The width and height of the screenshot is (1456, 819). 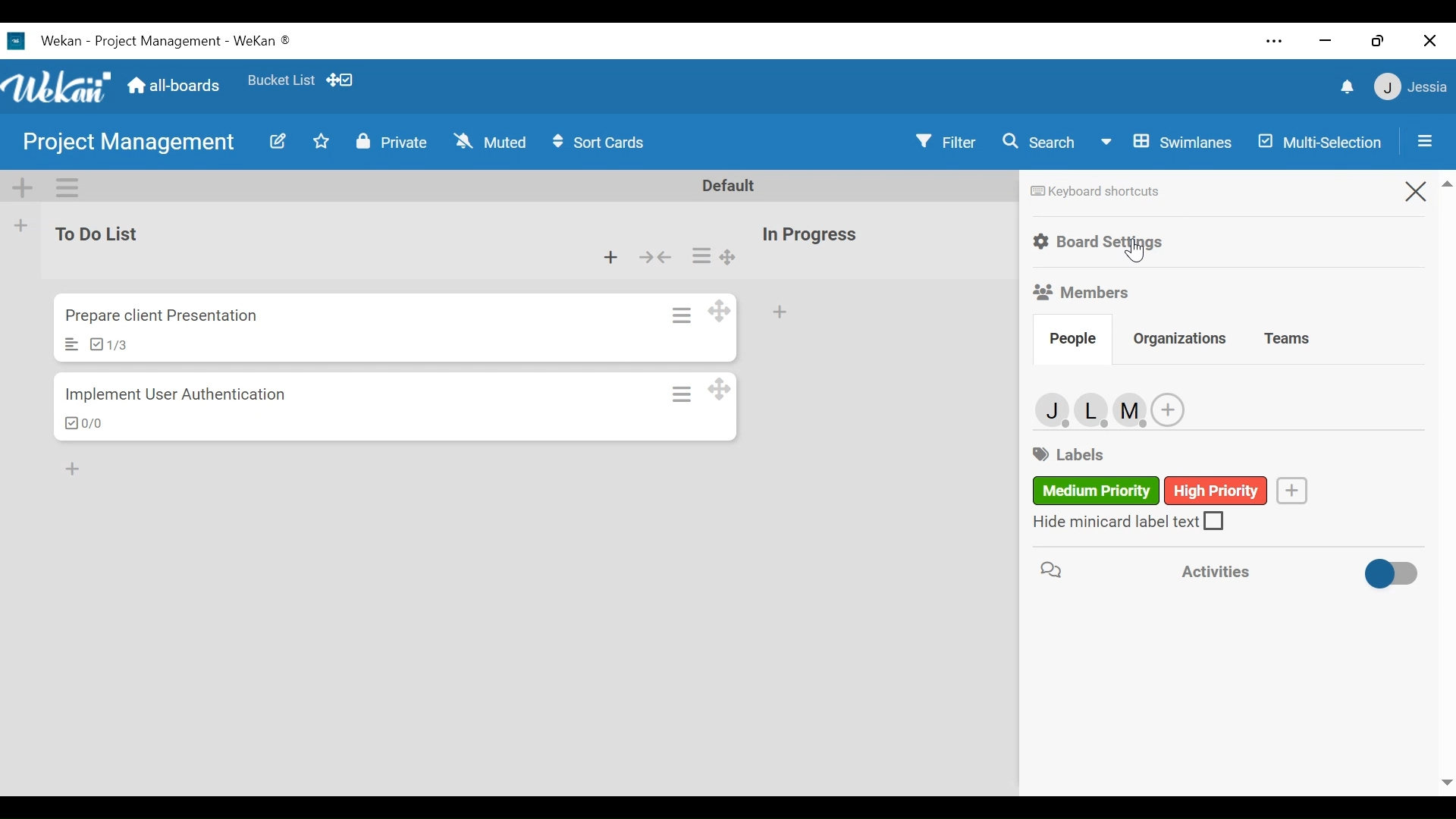 What do you see at coordinates (281, 81) in the screenshot?
I see `Favorite` at bounding box center [281, 81].